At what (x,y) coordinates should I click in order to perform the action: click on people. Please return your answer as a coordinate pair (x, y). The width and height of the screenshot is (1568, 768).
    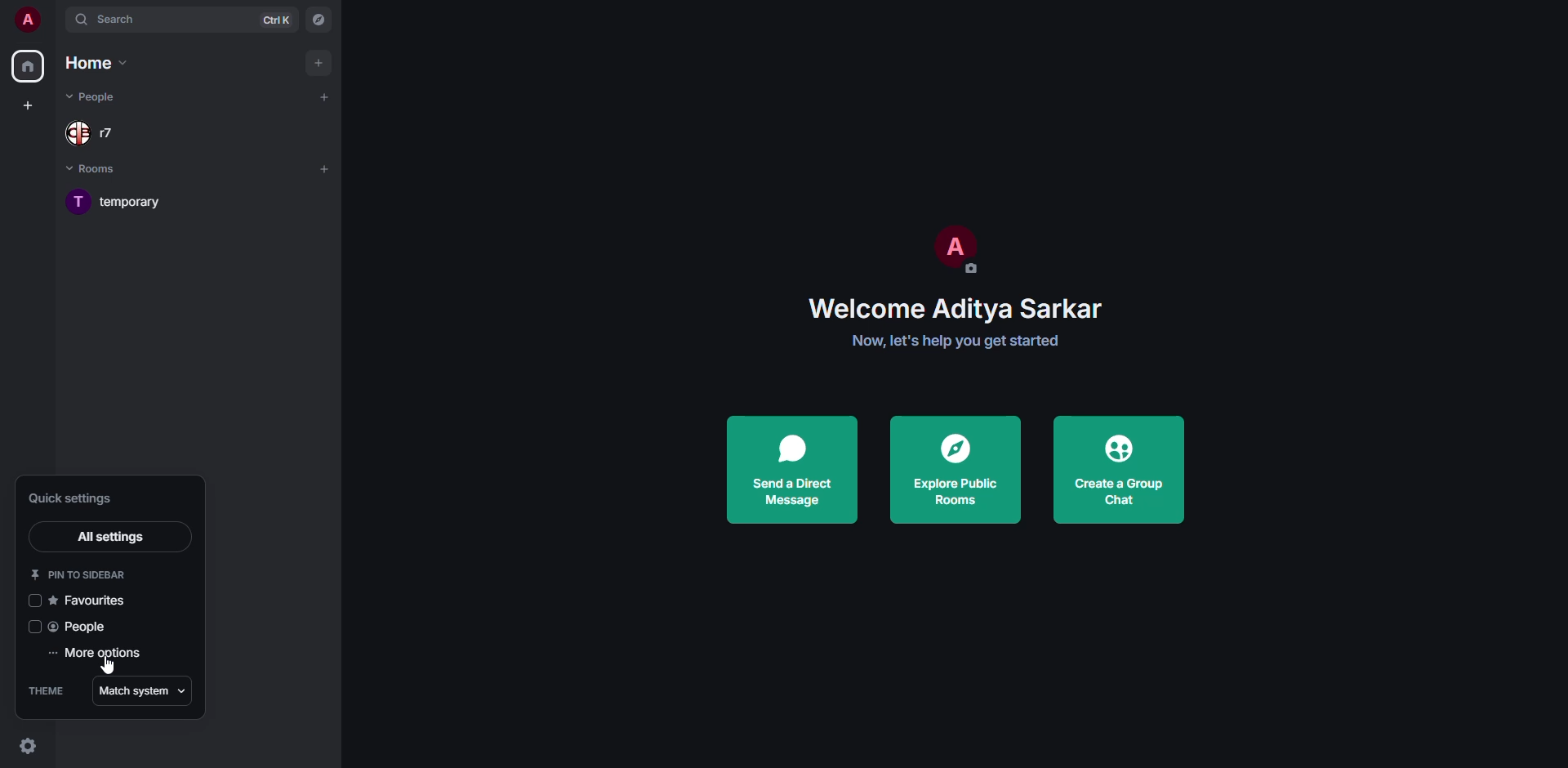
    Looking at the image, I should click on (104, 135).